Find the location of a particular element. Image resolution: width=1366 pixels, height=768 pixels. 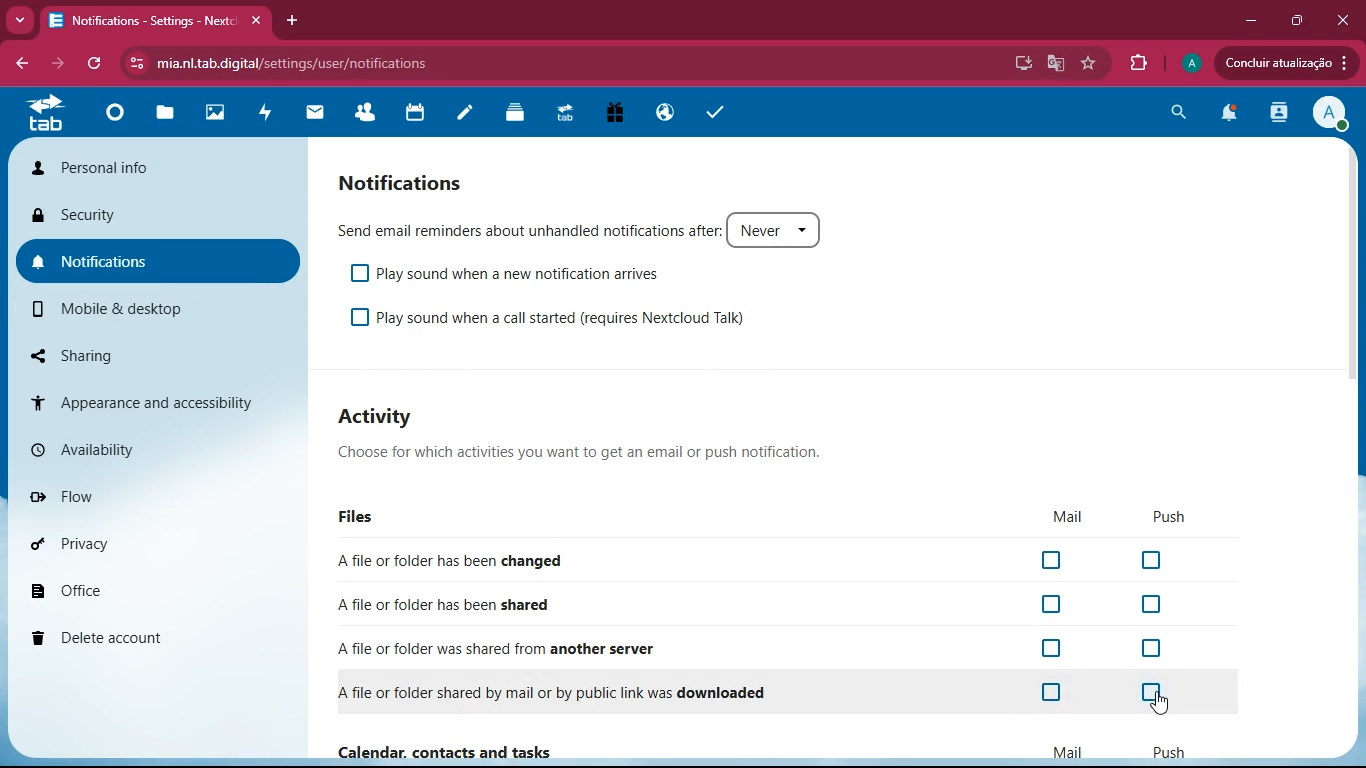

appearance and accessibility is located at coordinates (132, 398).